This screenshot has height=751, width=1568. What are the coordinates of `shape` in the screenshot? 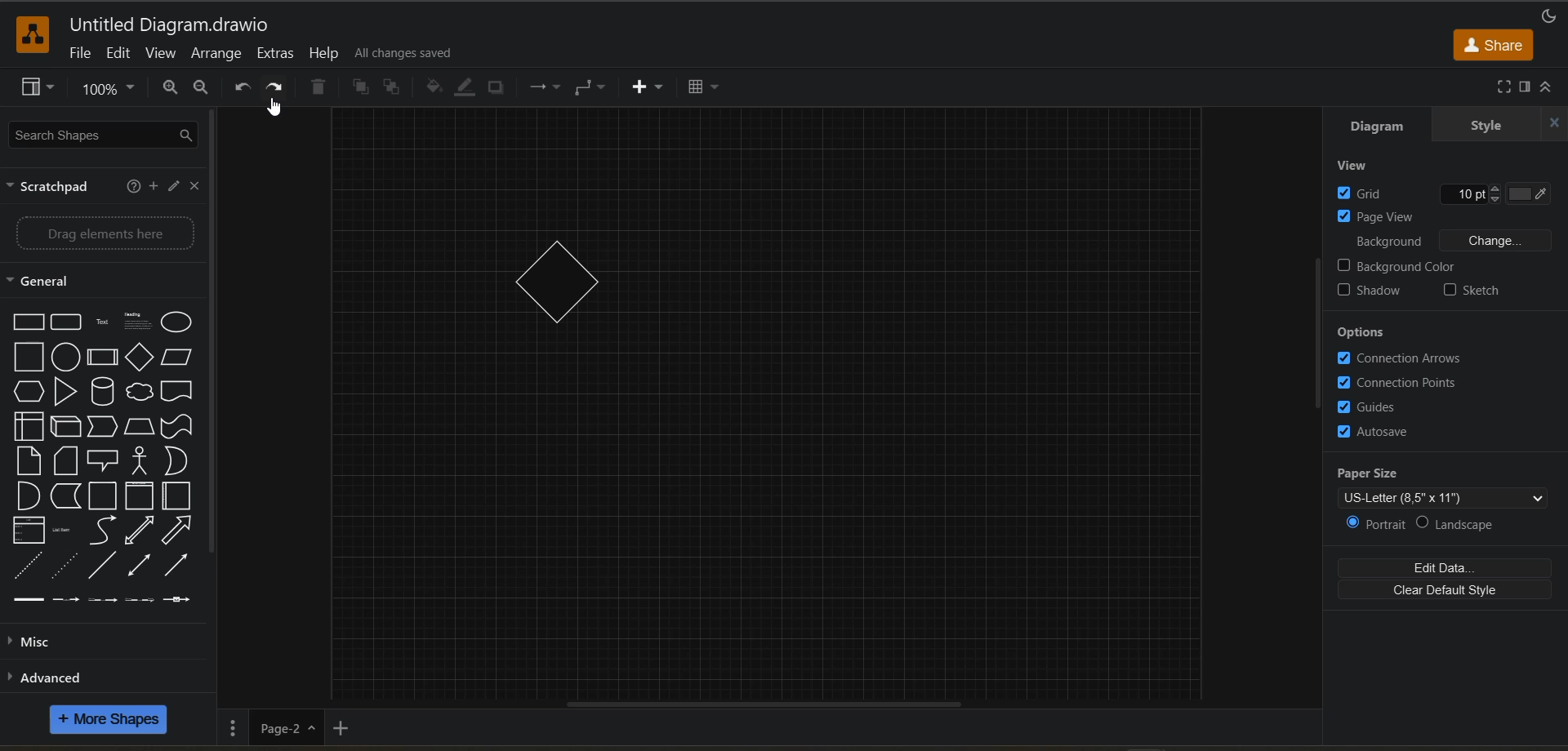 It's located at (557, 281).